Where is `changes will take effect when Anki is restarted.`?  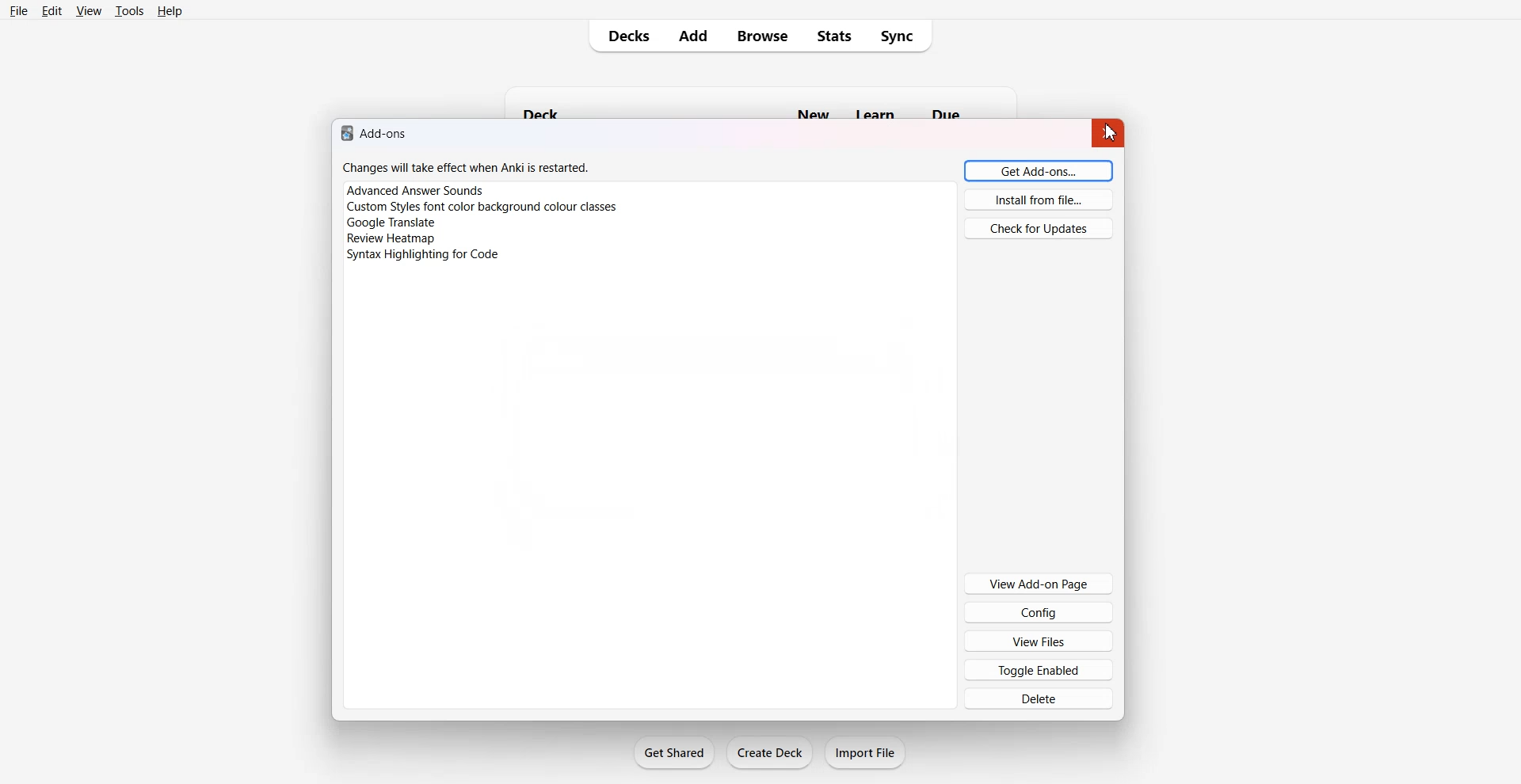 changes will take effect when Anki is restarted. is located at coordinates (466, 167).